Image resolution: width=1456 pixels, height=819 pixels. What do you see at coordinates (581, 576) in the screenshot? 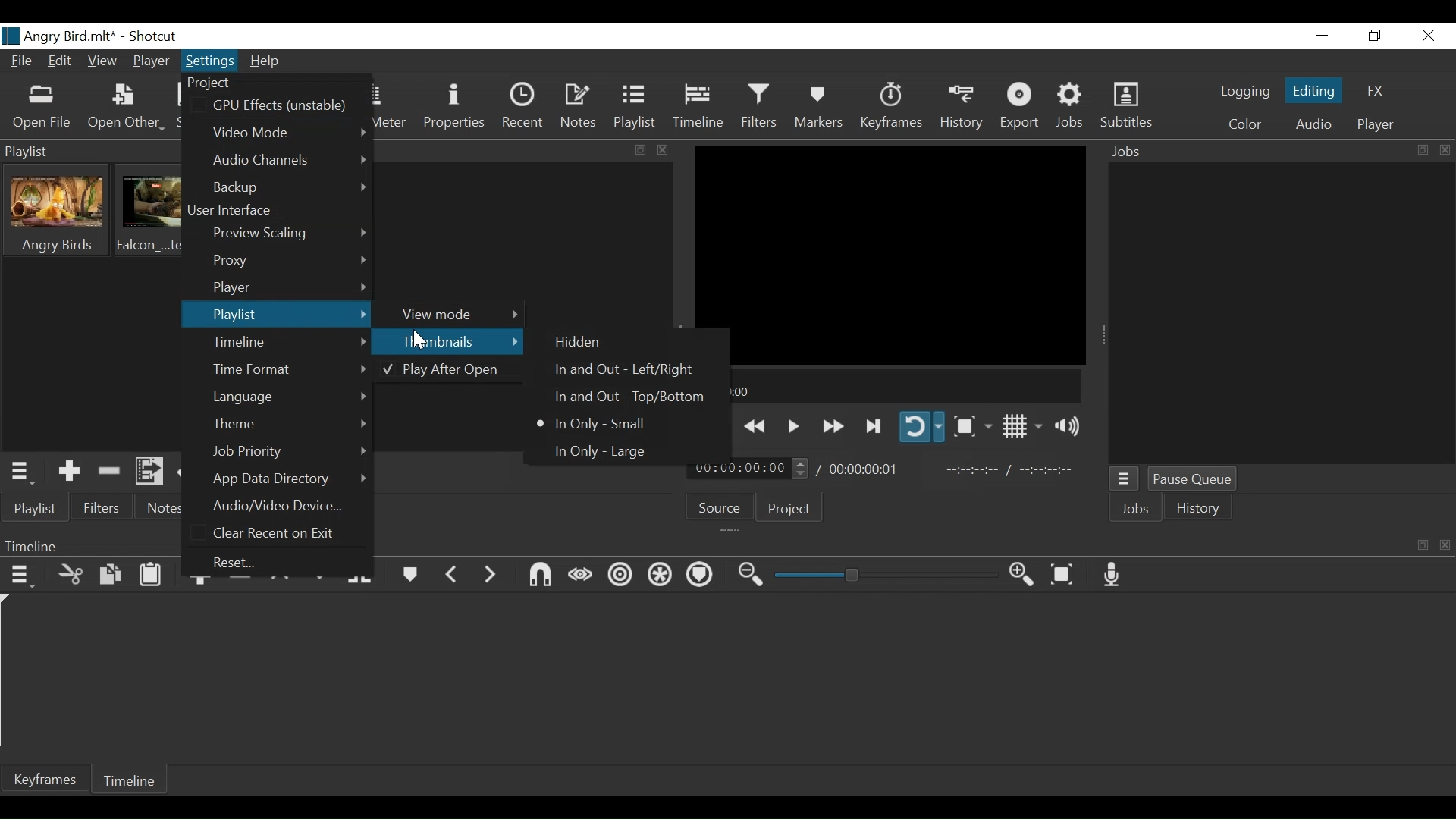
I see `Scrub while dragging` at bounding box center [581, 576].